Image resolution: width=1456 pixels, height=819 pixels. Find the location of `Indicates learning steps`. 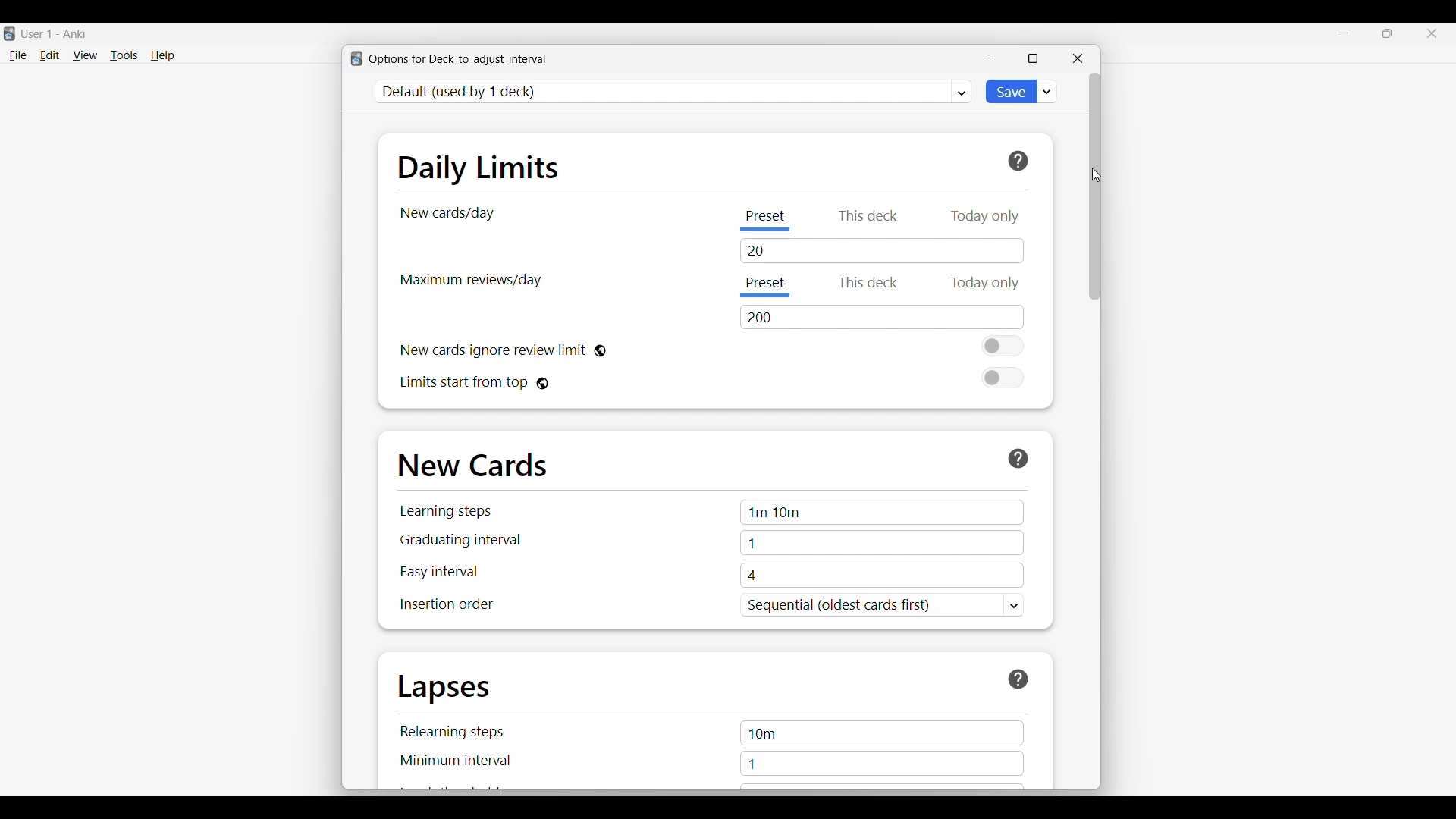

Indicates learning steps is located at coordinates (446, 511).